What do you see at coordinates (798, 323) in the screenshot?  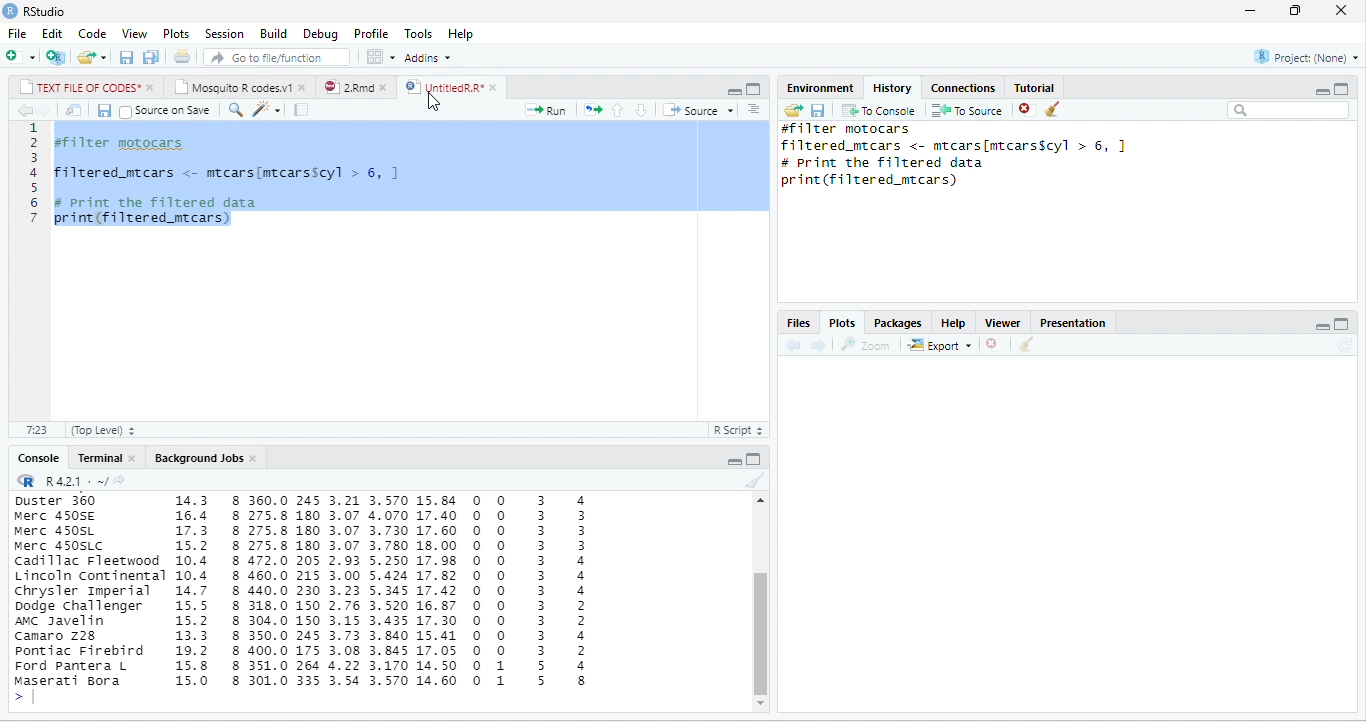 I see `Files` at bounding box center [798, 323].